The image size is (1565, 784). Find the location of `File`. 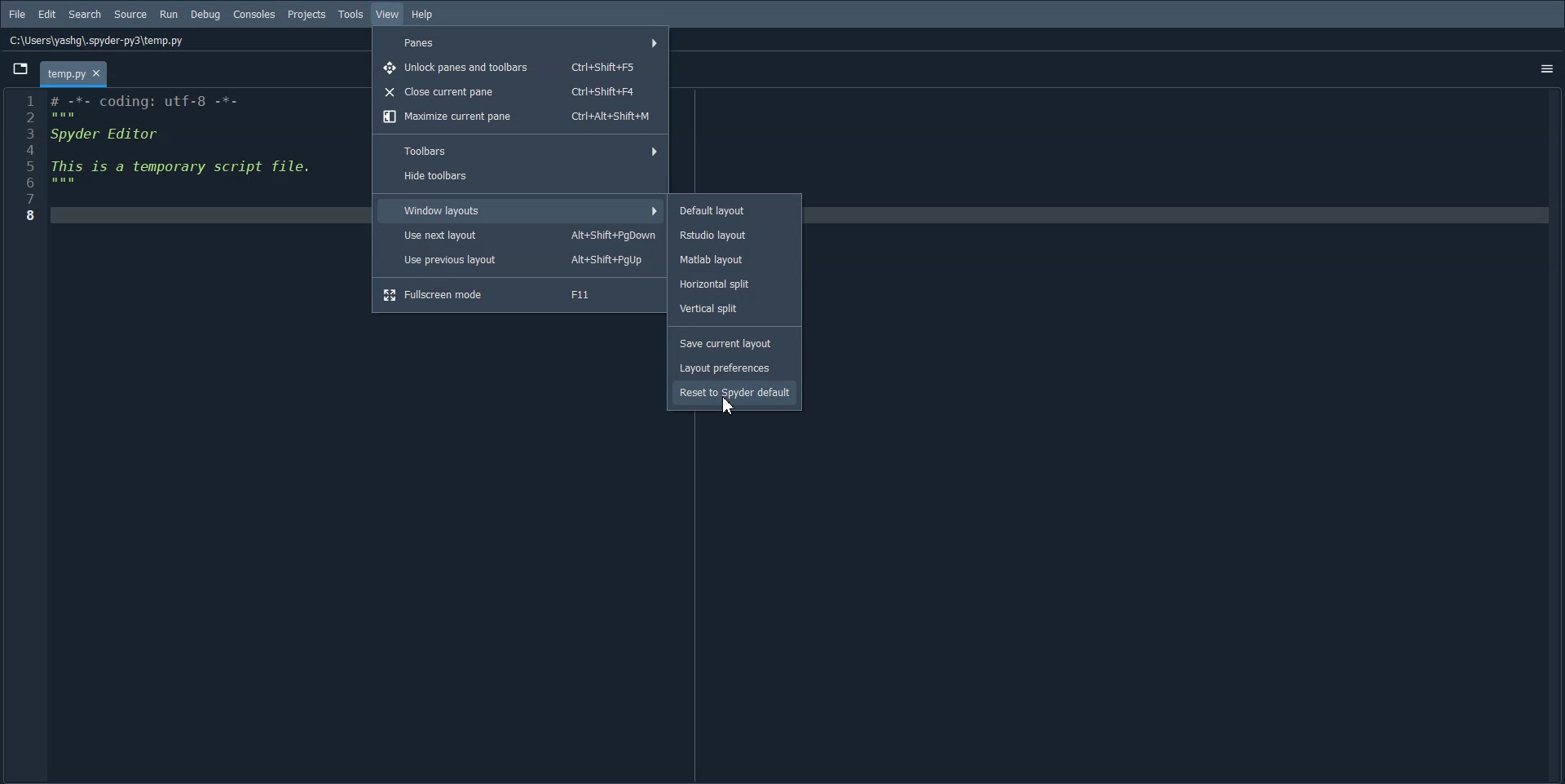

File is located at coordinates (16, 15).